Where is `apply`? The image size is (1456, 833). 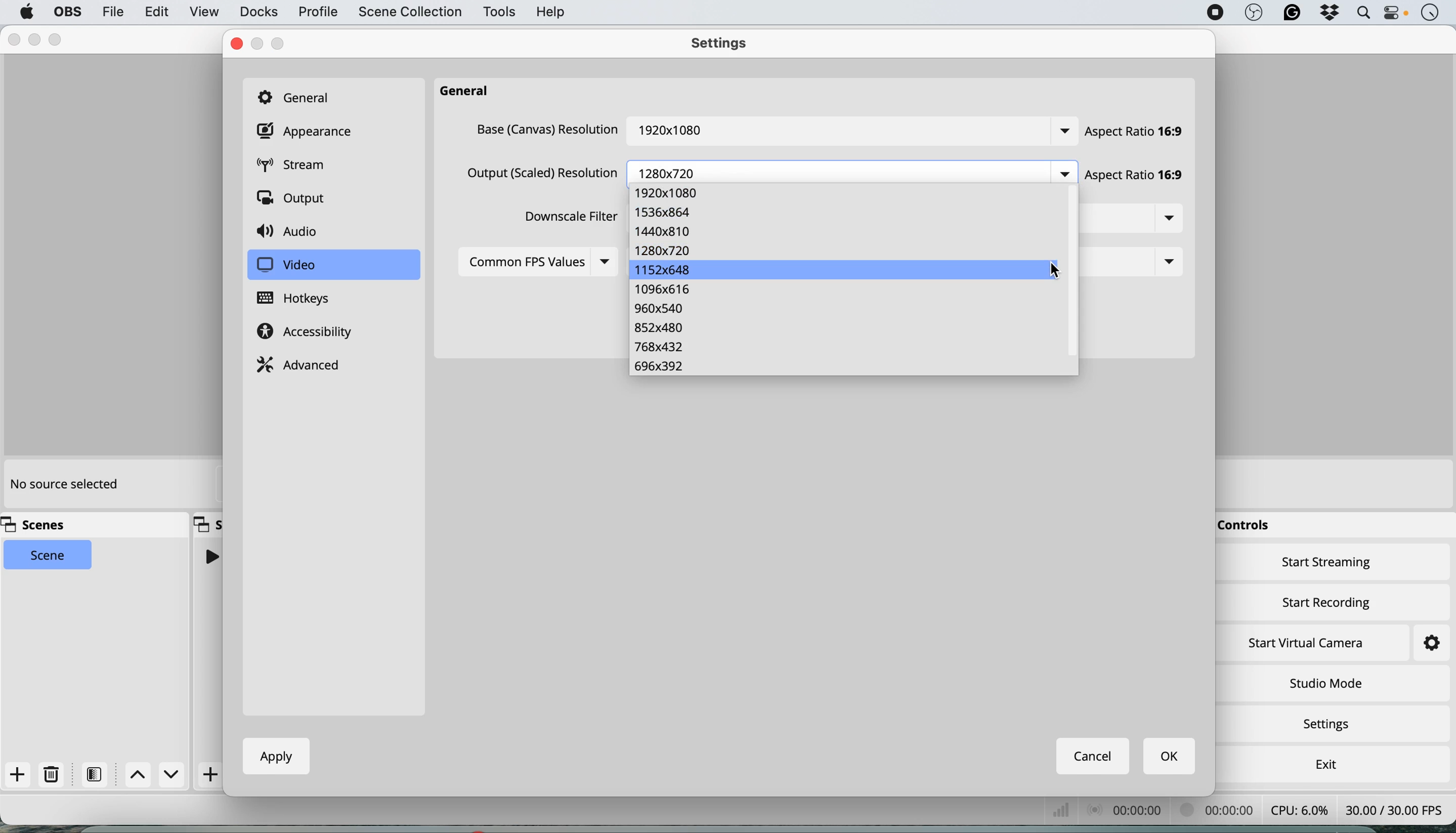
apply is located at coordinates (272, 756).